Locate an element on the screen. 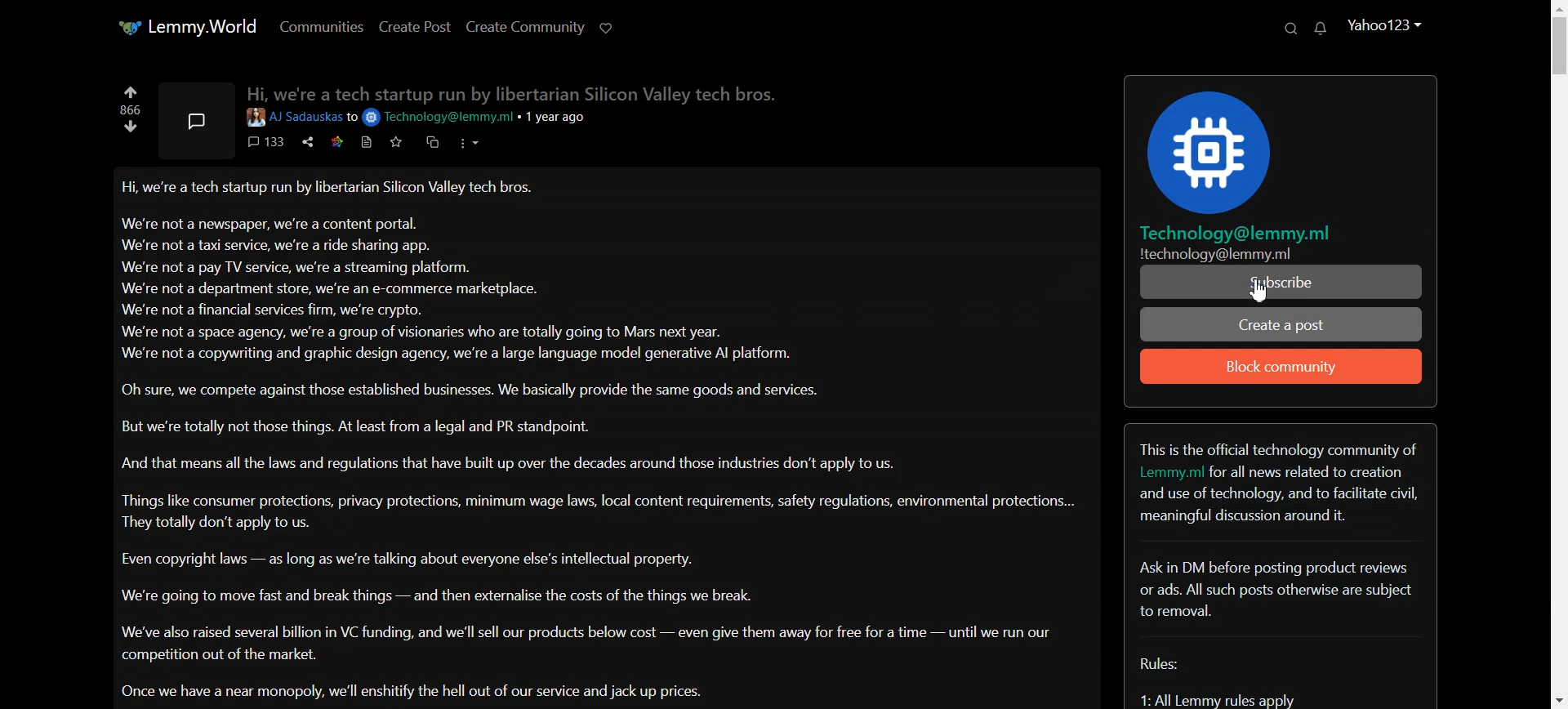 The width and height of the screenshot is (1568, 709). Link is located at coordinates (335, 141).